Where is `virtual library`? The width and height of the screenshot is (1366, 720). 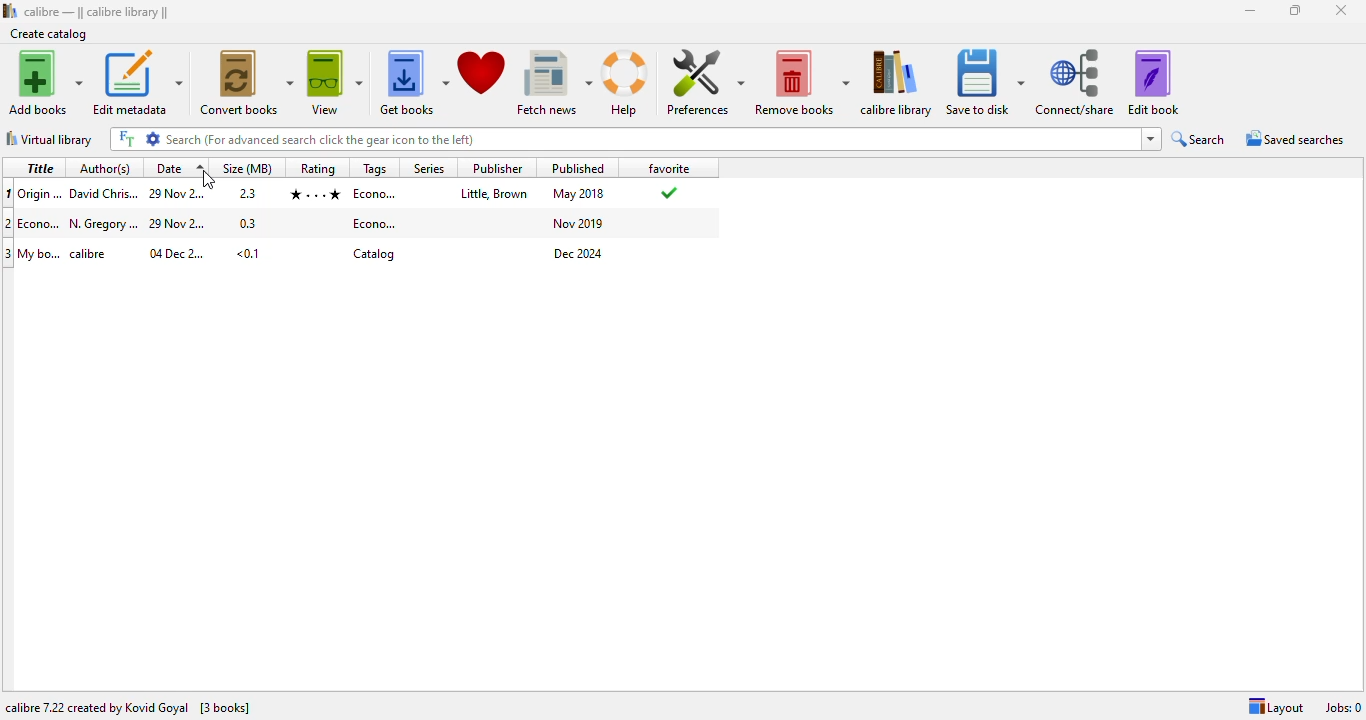
virtual library is located at coordinates (50, 139).